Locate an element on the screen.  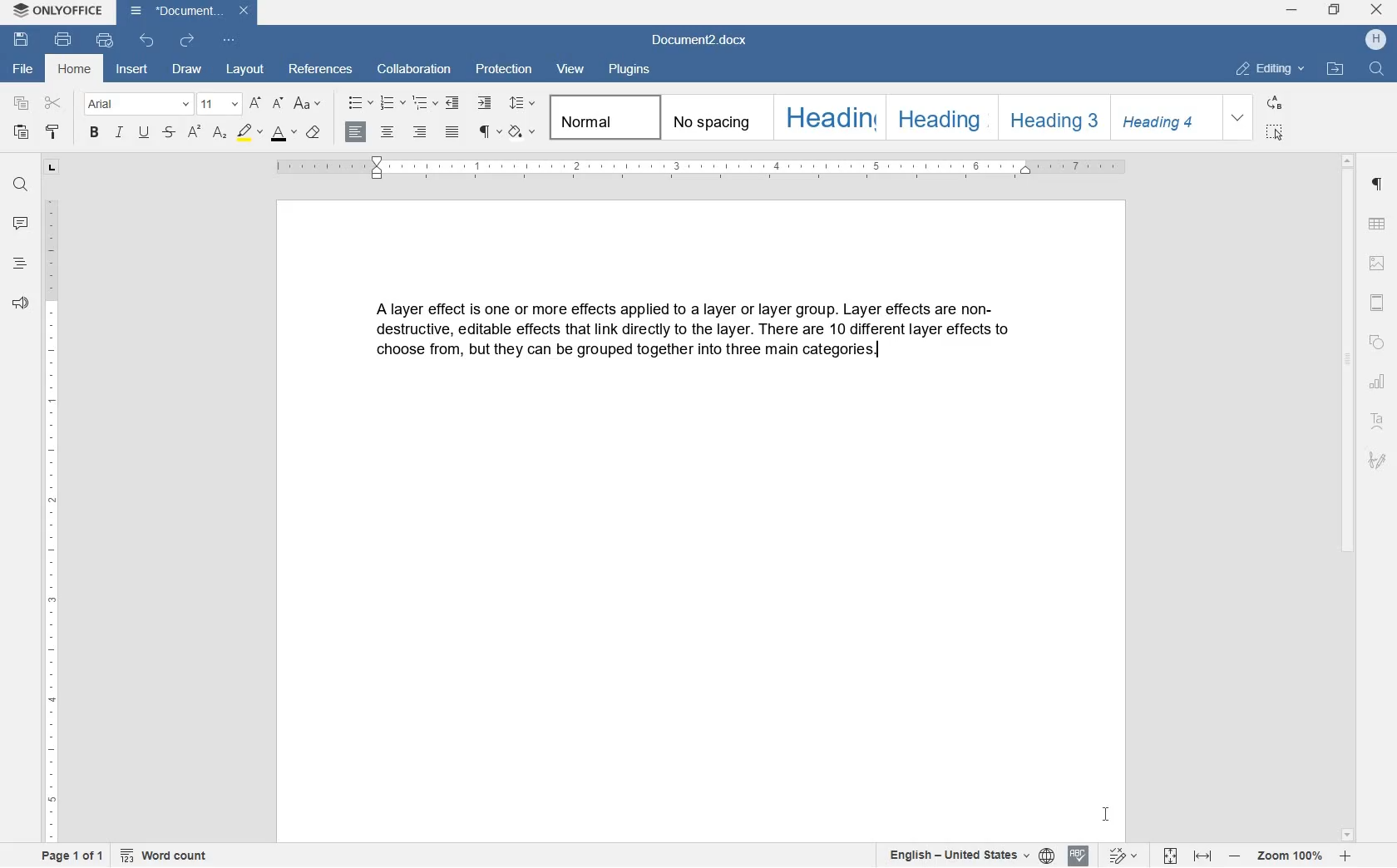
PLUGINS is located at coordinates (627, 71).